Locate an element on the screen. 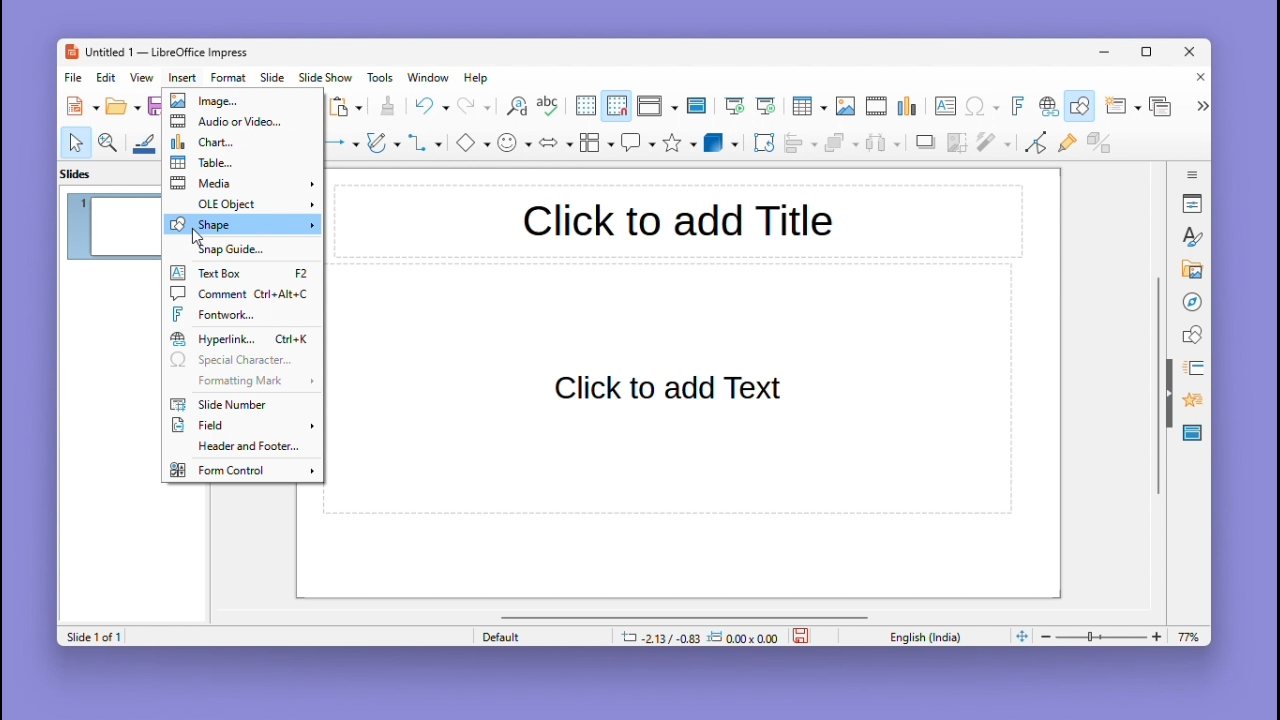 The width and height of the screenshot is (1280, 720). Navigator is located at coordinates (1192, 300).